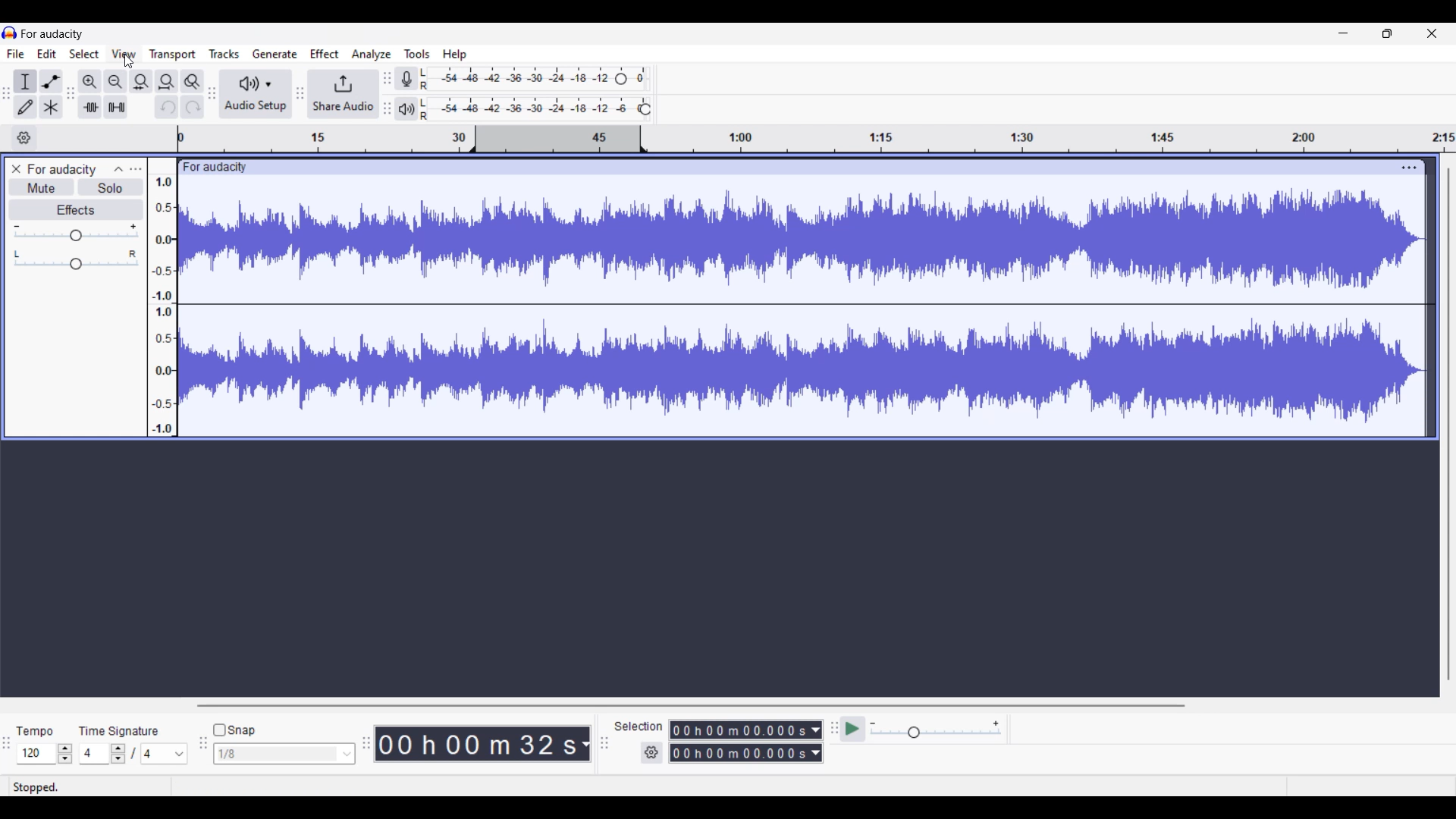 This screenshot has height=819, width=1456. What do you see at coordinates (651, 752) in the screenshot?
I see `Selection settings` at bounding box center [651, 752].